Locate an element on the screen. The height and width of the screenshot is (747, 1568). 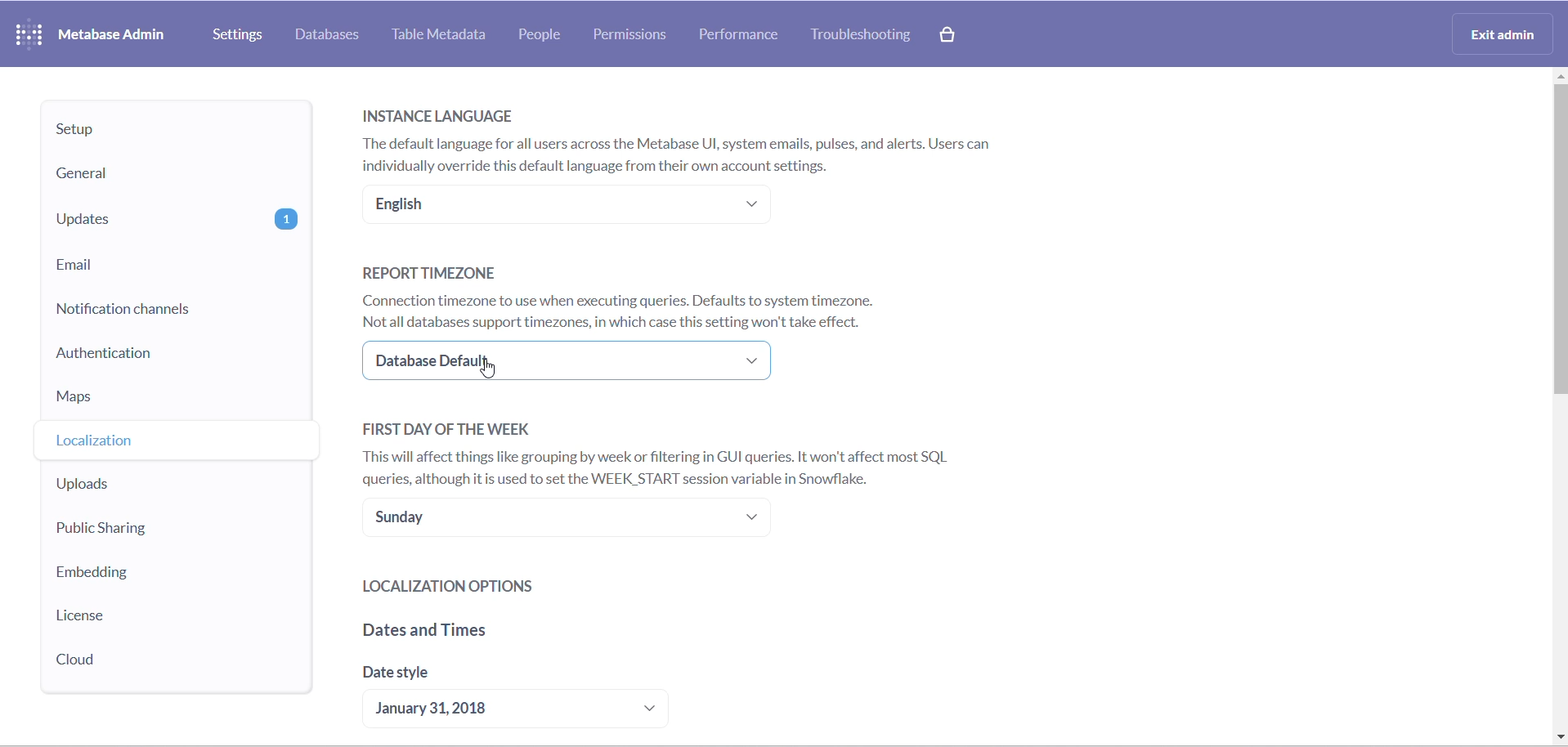
timezone options is located at coordinates (575, 362).